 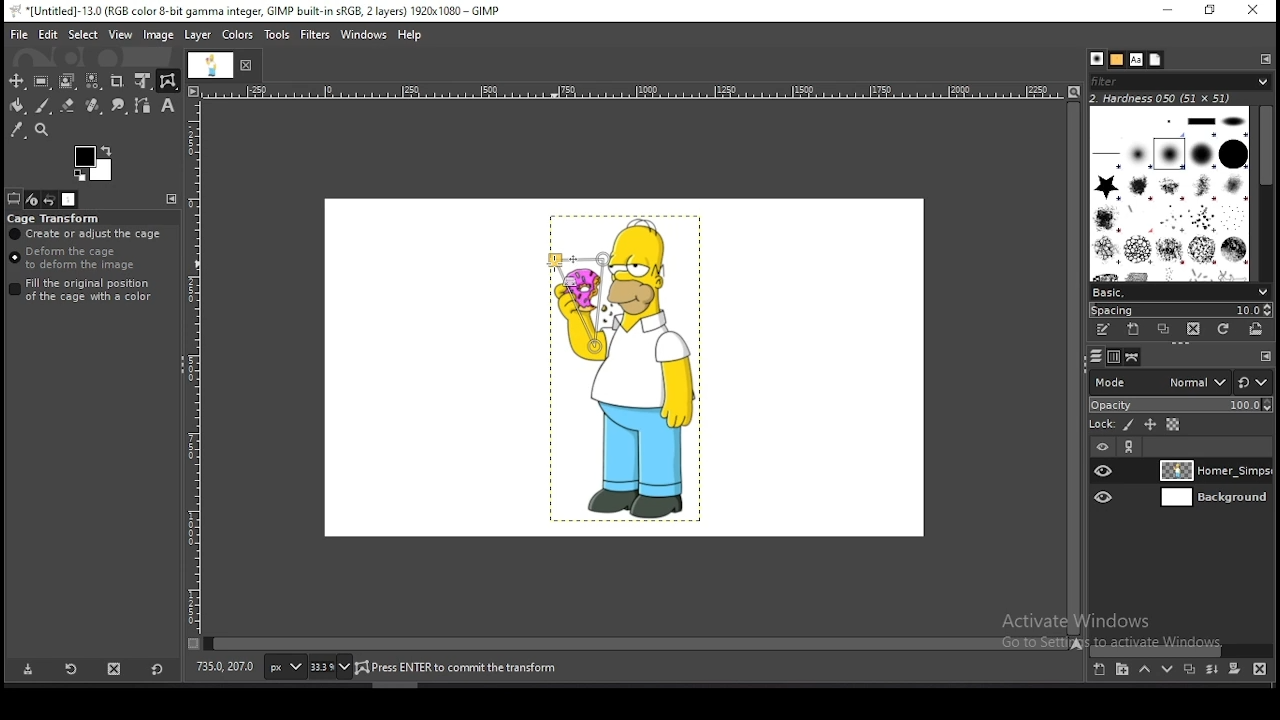 What do you see at coordinates (67, 81) in the screenshot?
I see `foreground select tool` at bounding box center [67, 81].